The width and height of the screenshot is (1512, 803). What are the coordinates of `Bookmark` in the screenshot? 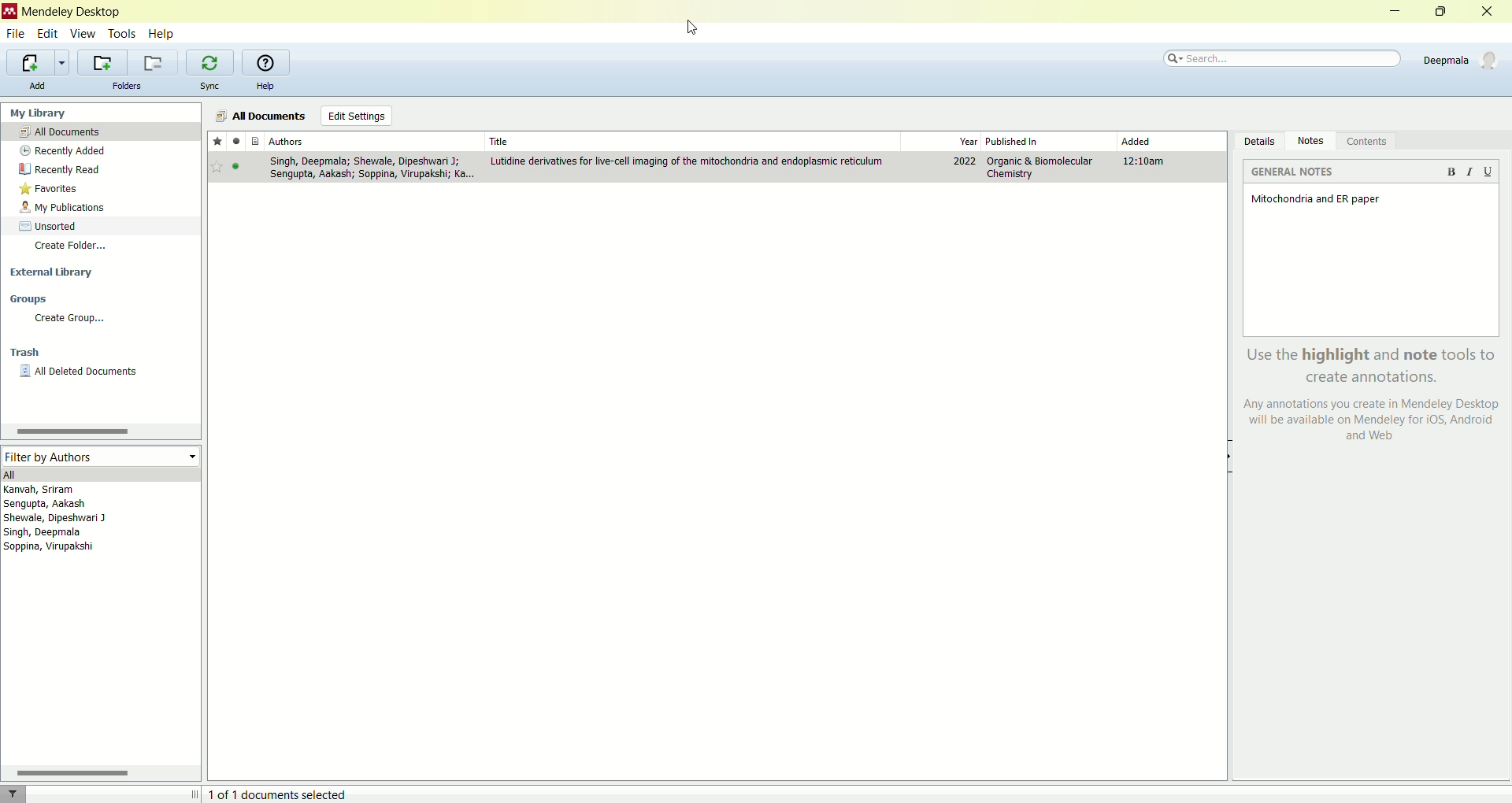 It's located at (217, 168).